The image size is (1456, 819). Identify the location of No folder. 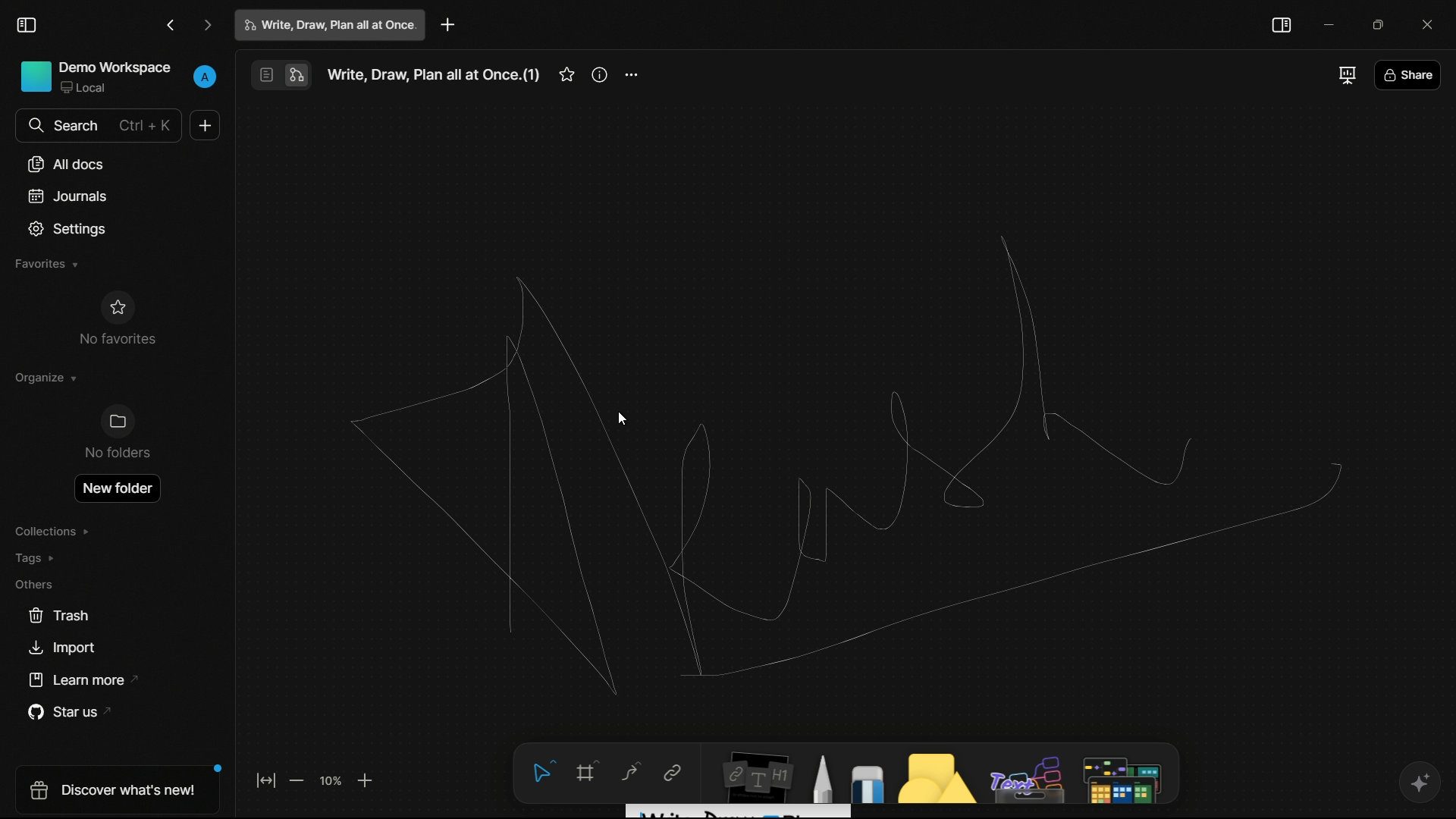
(116, 453).